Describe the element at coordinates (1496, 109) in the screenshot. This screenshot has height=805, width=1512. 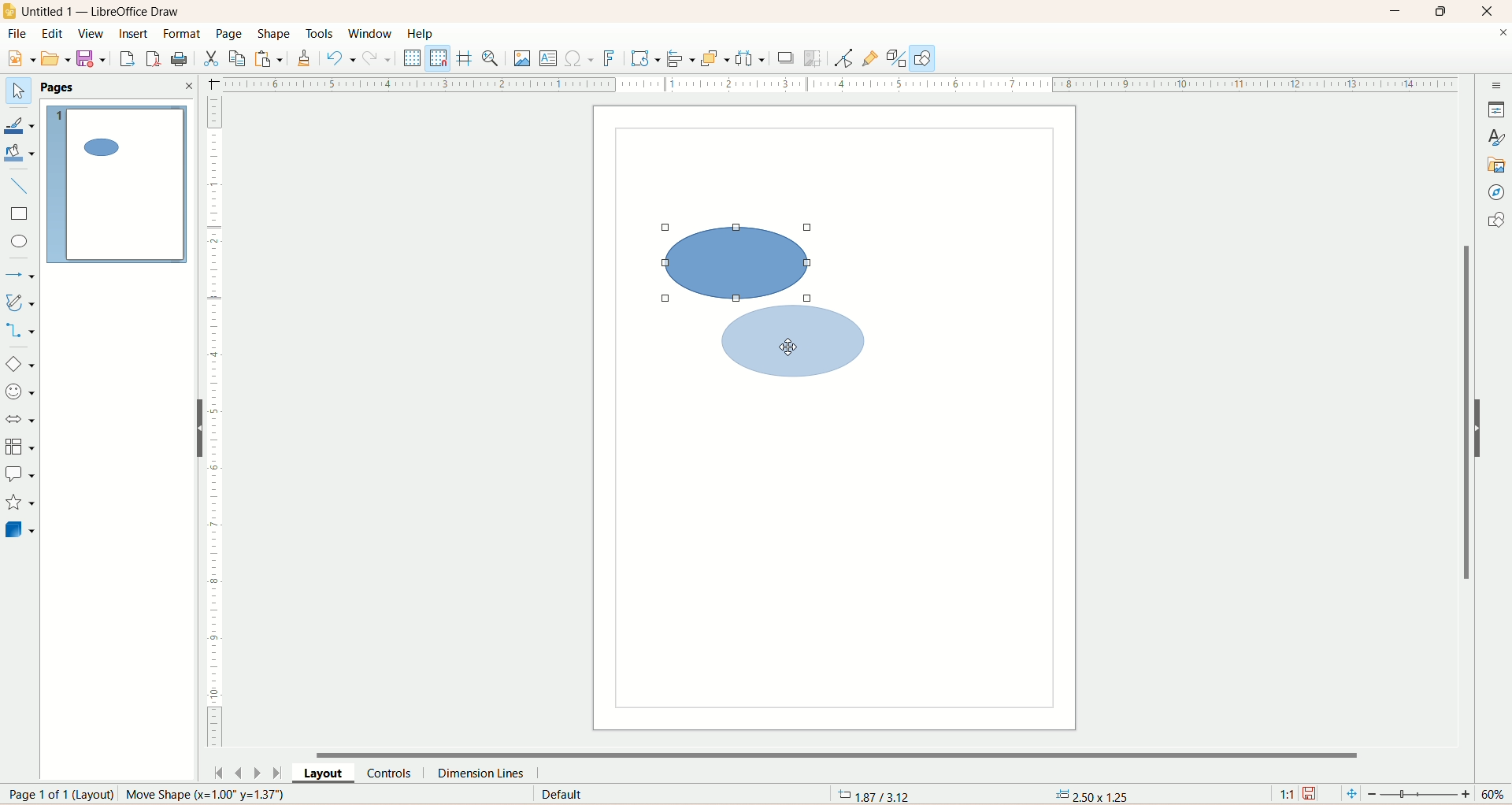
I see `properties` at that location.